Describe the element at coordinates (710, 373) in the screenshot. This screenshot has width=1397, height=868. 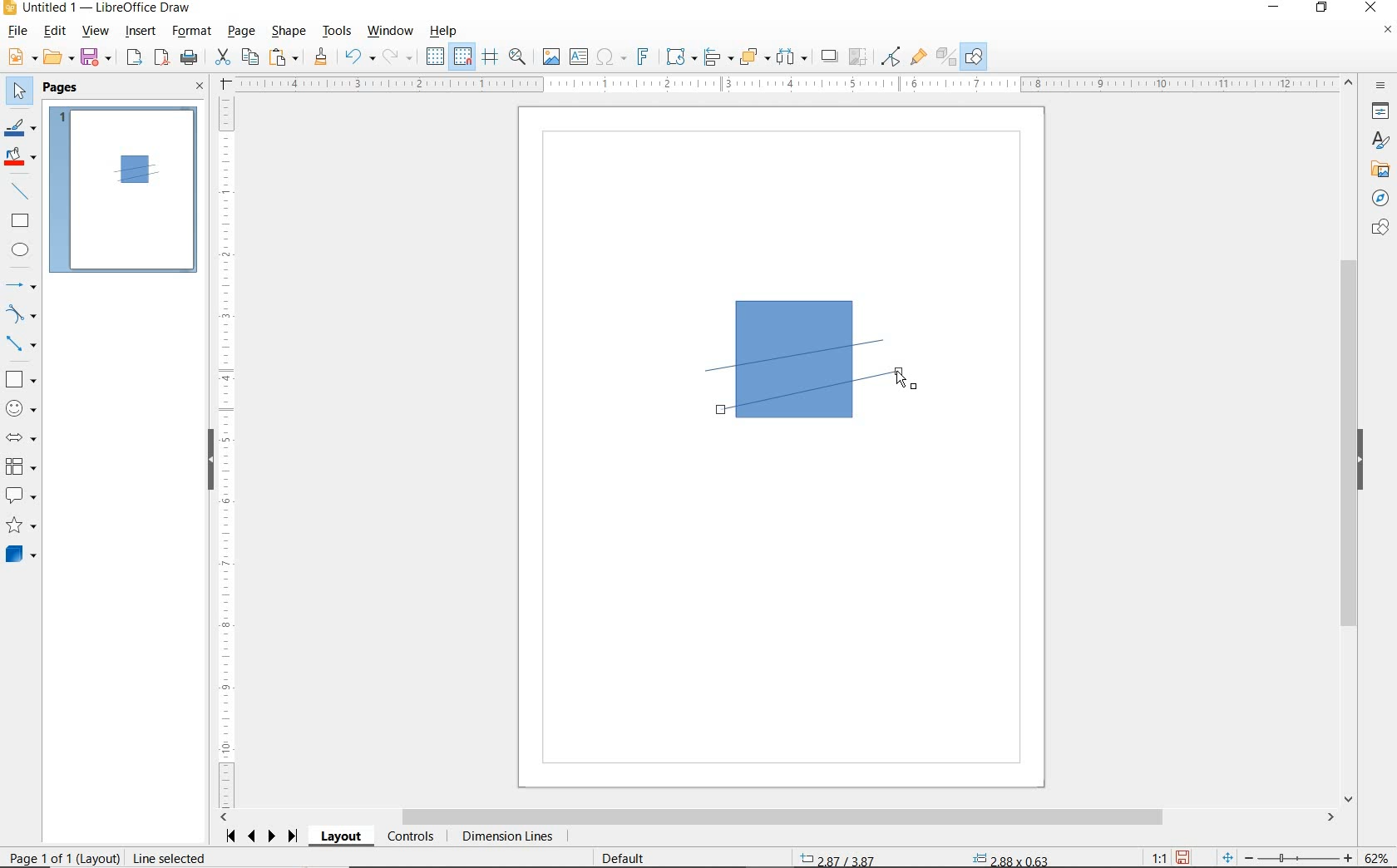
I see `LINE TOOL` at that location.